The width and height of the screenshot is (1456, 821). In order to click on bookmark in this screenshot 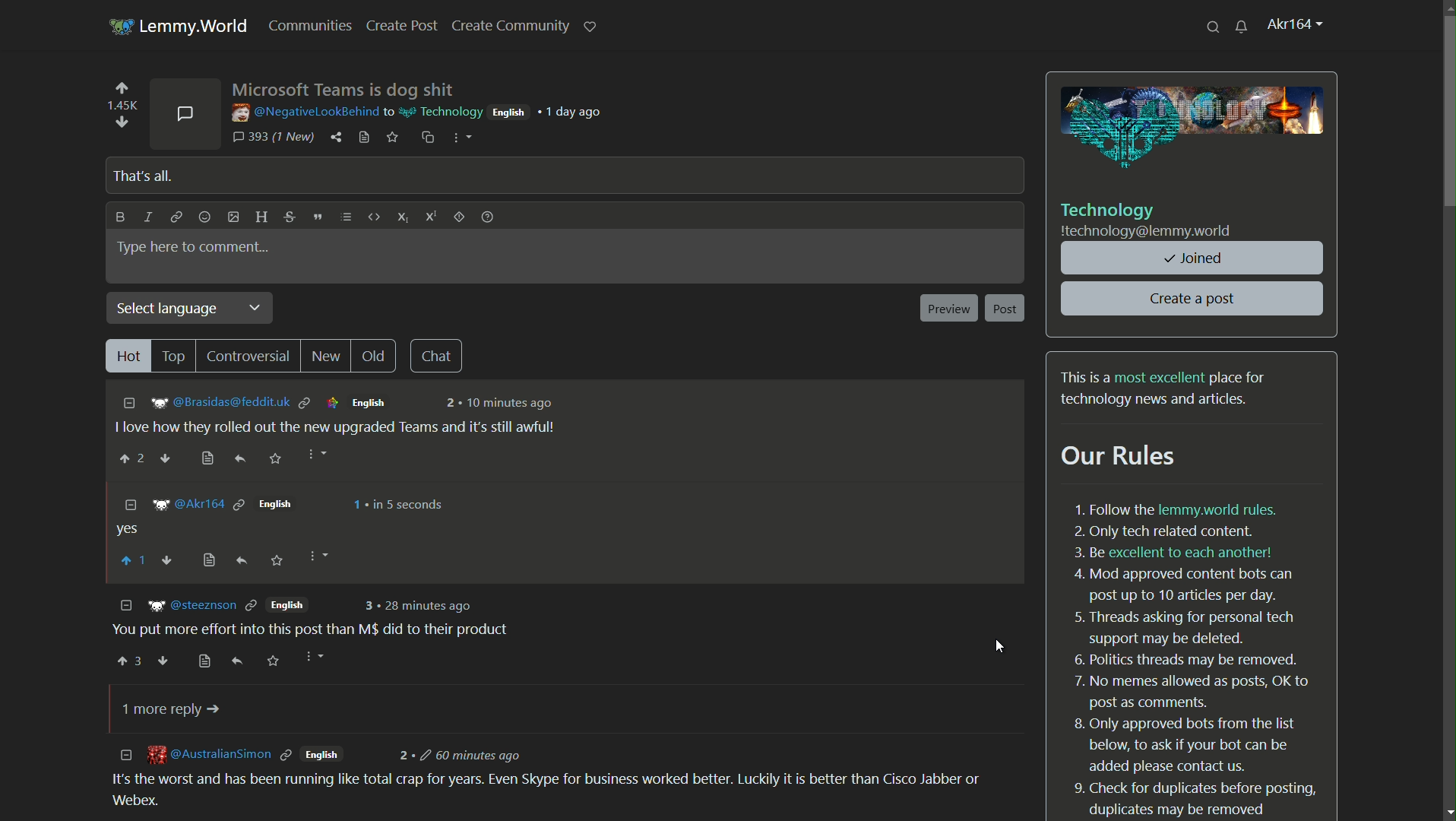, I will do `click(206, 458)`.